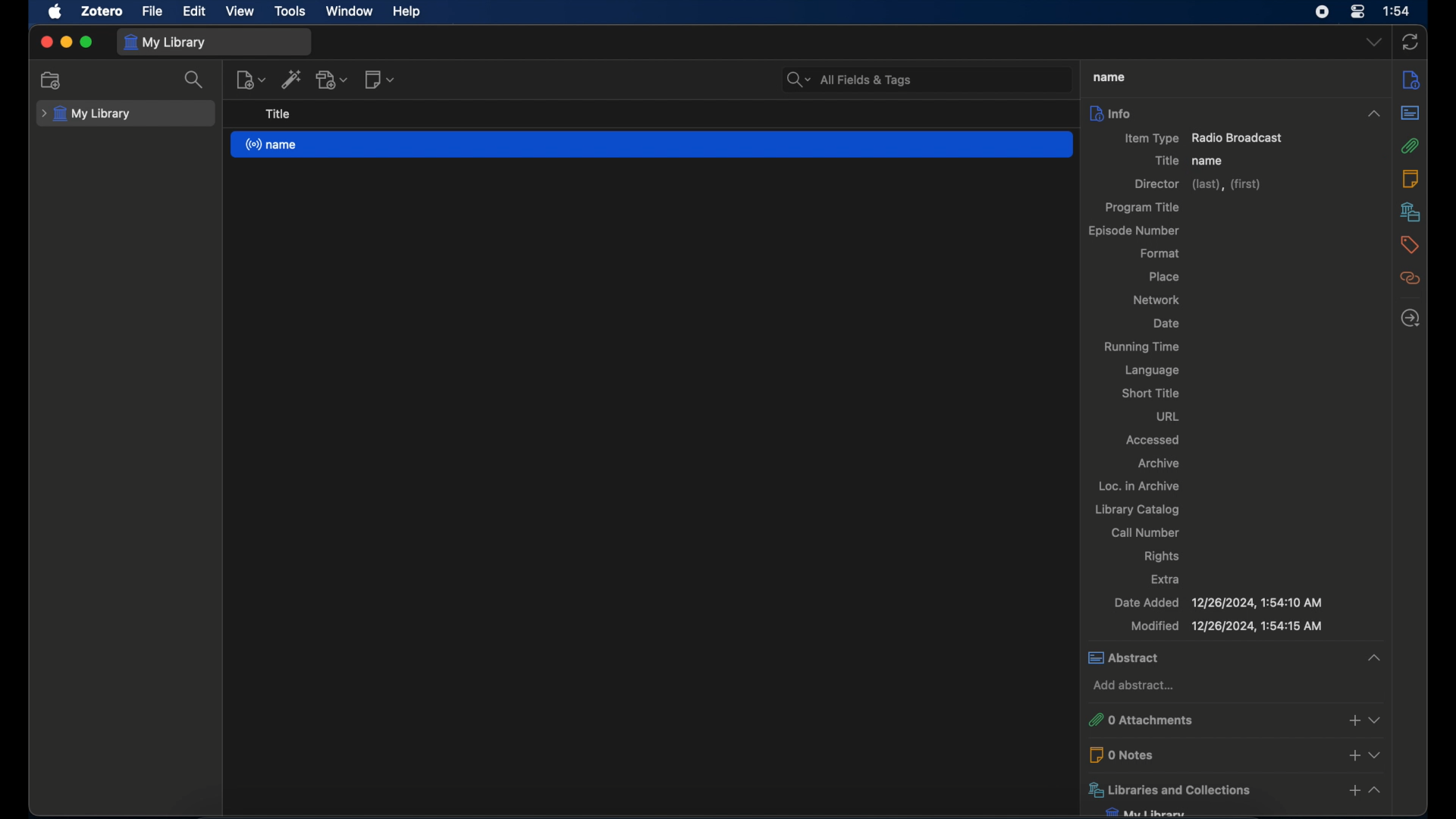  I want to click on modified 12/26/2024, 1:54:10 AM, so click(1228, 627).